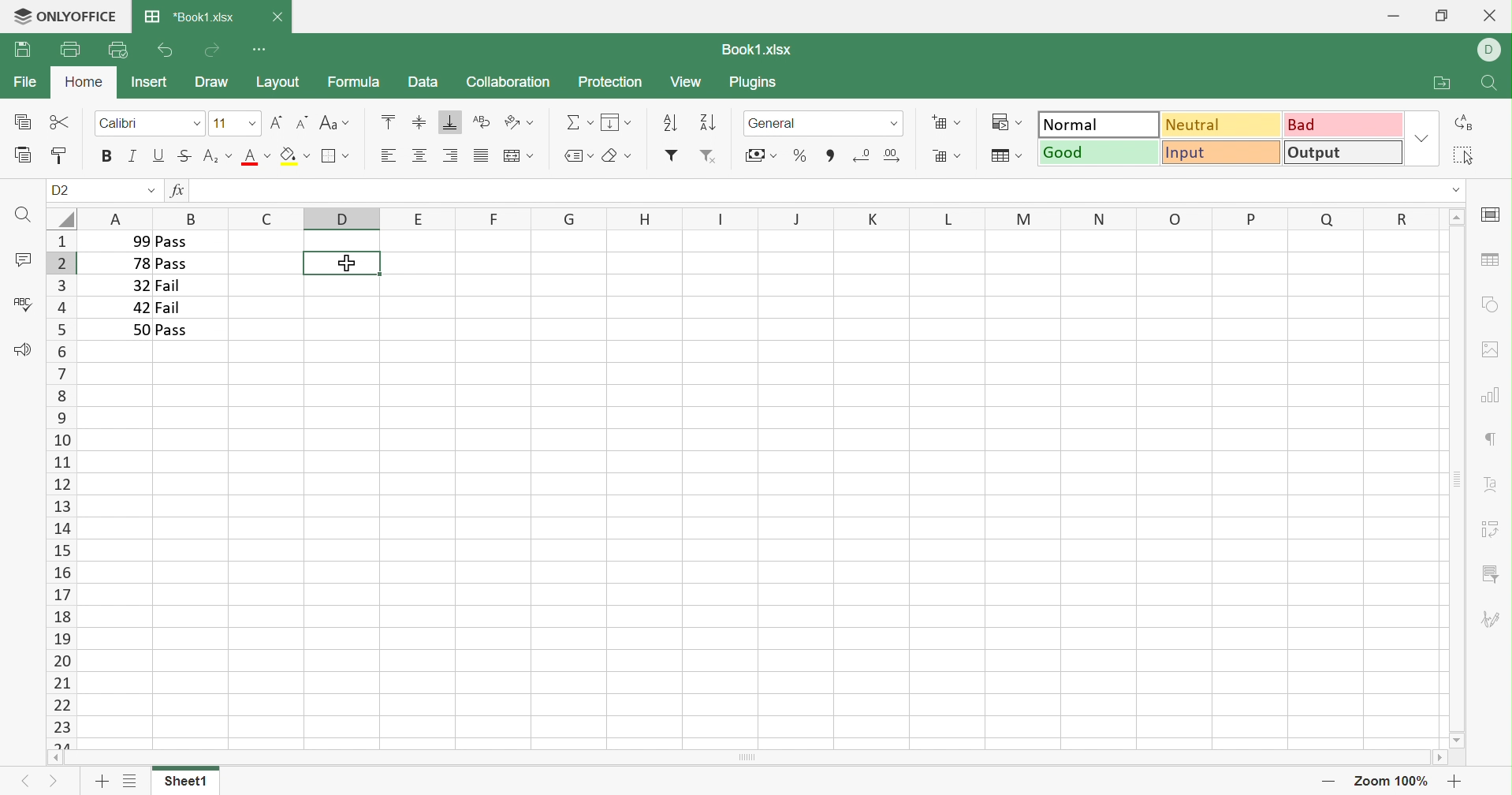  What do you see at coordinates (24, 155) in the screenshot?
I see `Paste` at bounding box center [24, 155].